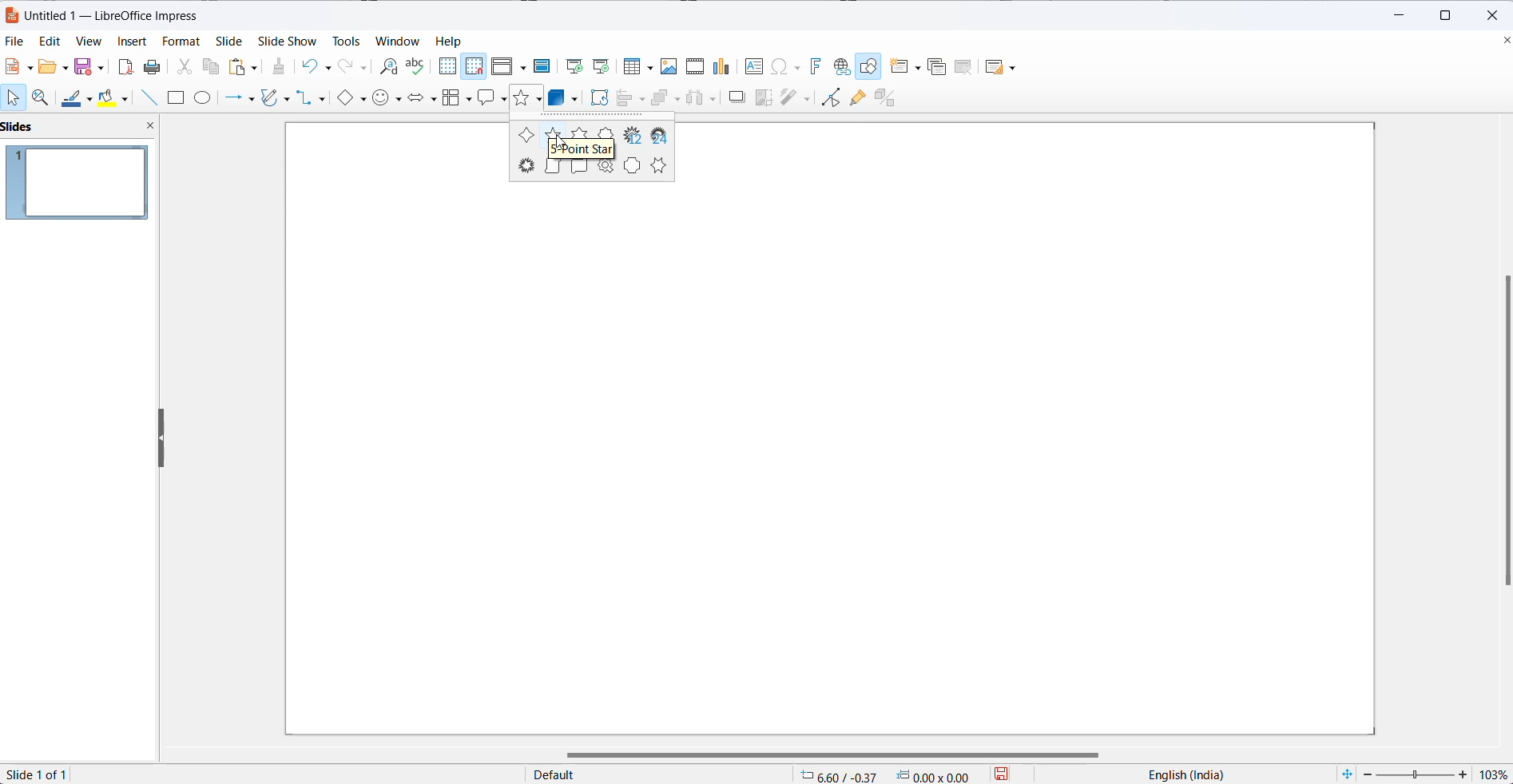  Describe the element at coordinates (22, 66) in the screenshot. I see `new file` at that location.